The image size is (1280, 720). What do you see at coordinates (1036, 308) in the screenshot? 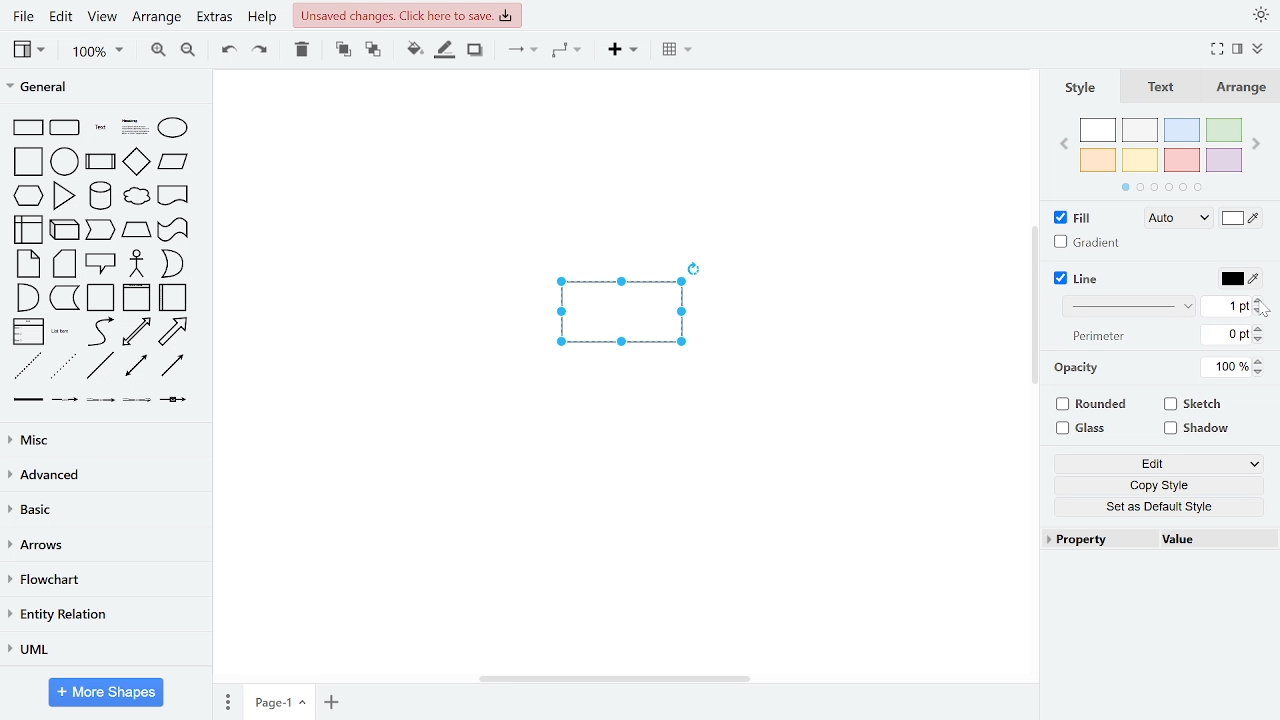
I see `vertical scroll bar ` at bounding box center [1036, 308].